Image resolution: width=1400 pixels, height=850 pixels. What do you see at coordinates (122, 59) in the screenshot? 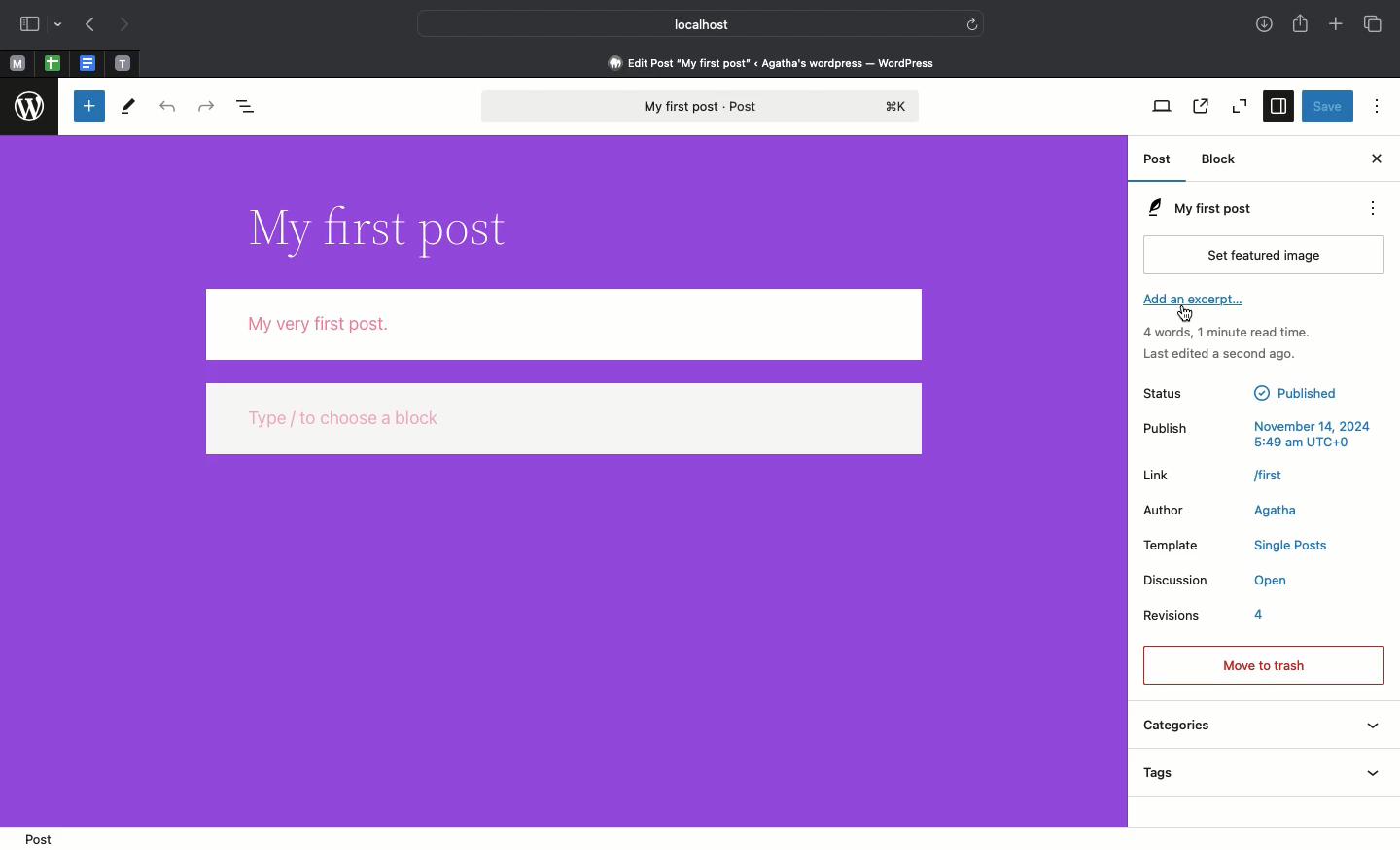
I see `text tab` at bounding box center [122, 59].